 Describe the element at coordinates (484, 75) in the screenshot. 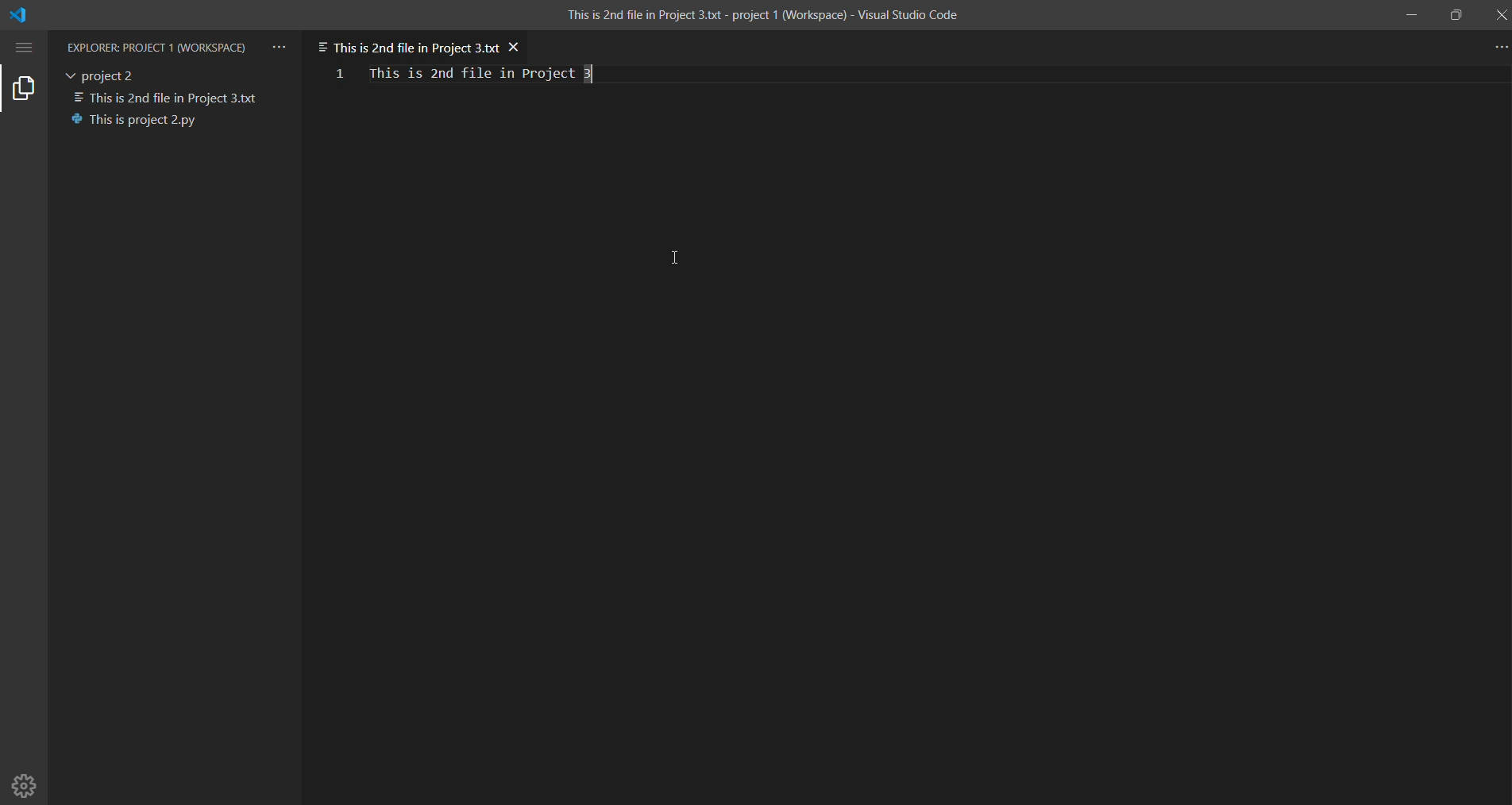

I see `This is 2nd file in Project 3` at that location.